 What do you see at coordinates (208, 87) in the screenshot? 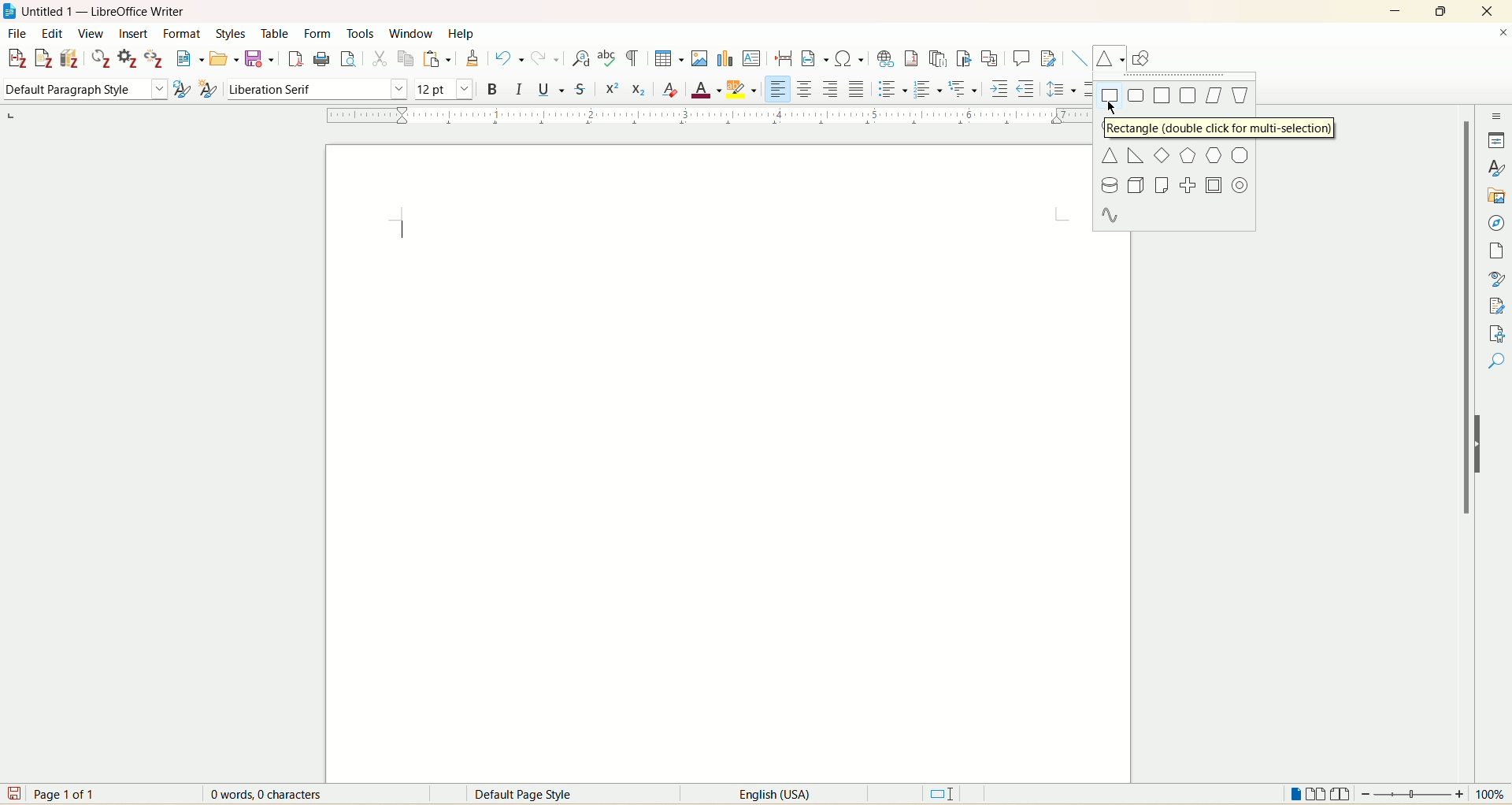
I see `new style from selection` at bounding box center [208, 87].